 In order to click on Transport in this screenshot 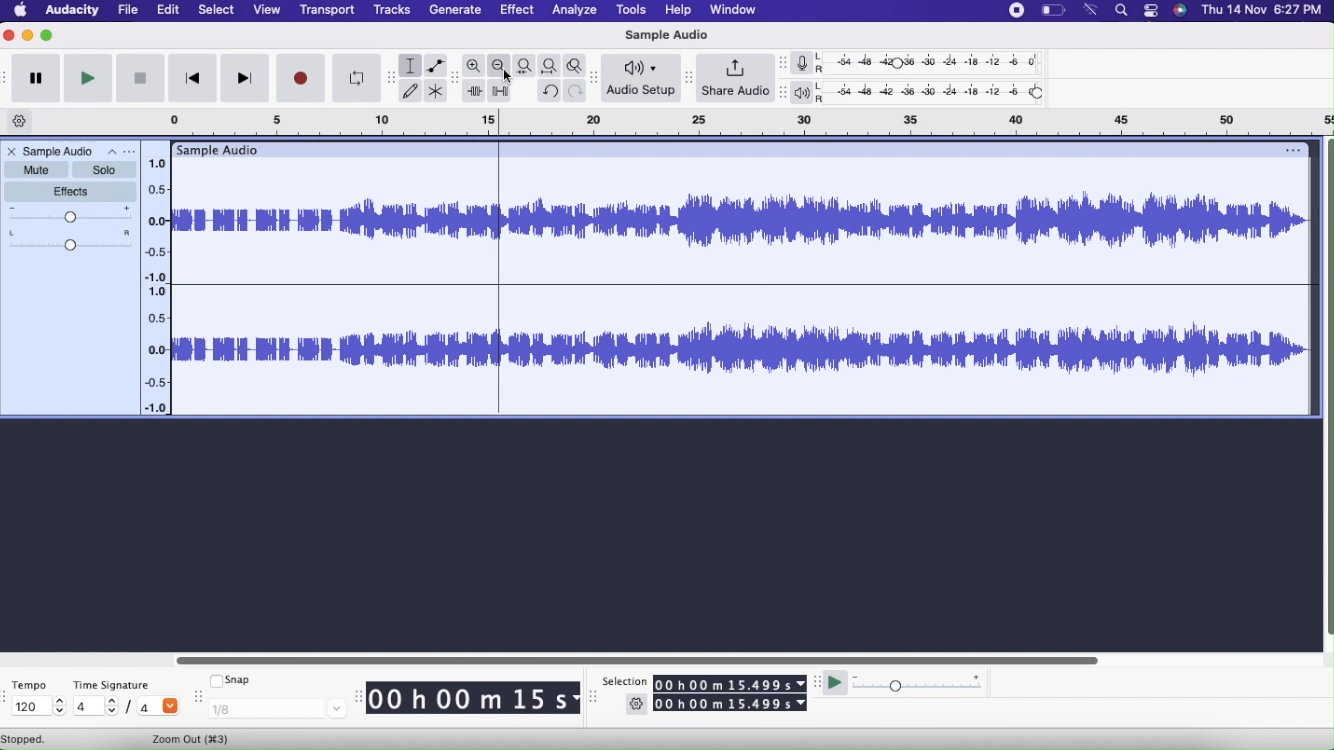, I will do `click(328, 12)`.